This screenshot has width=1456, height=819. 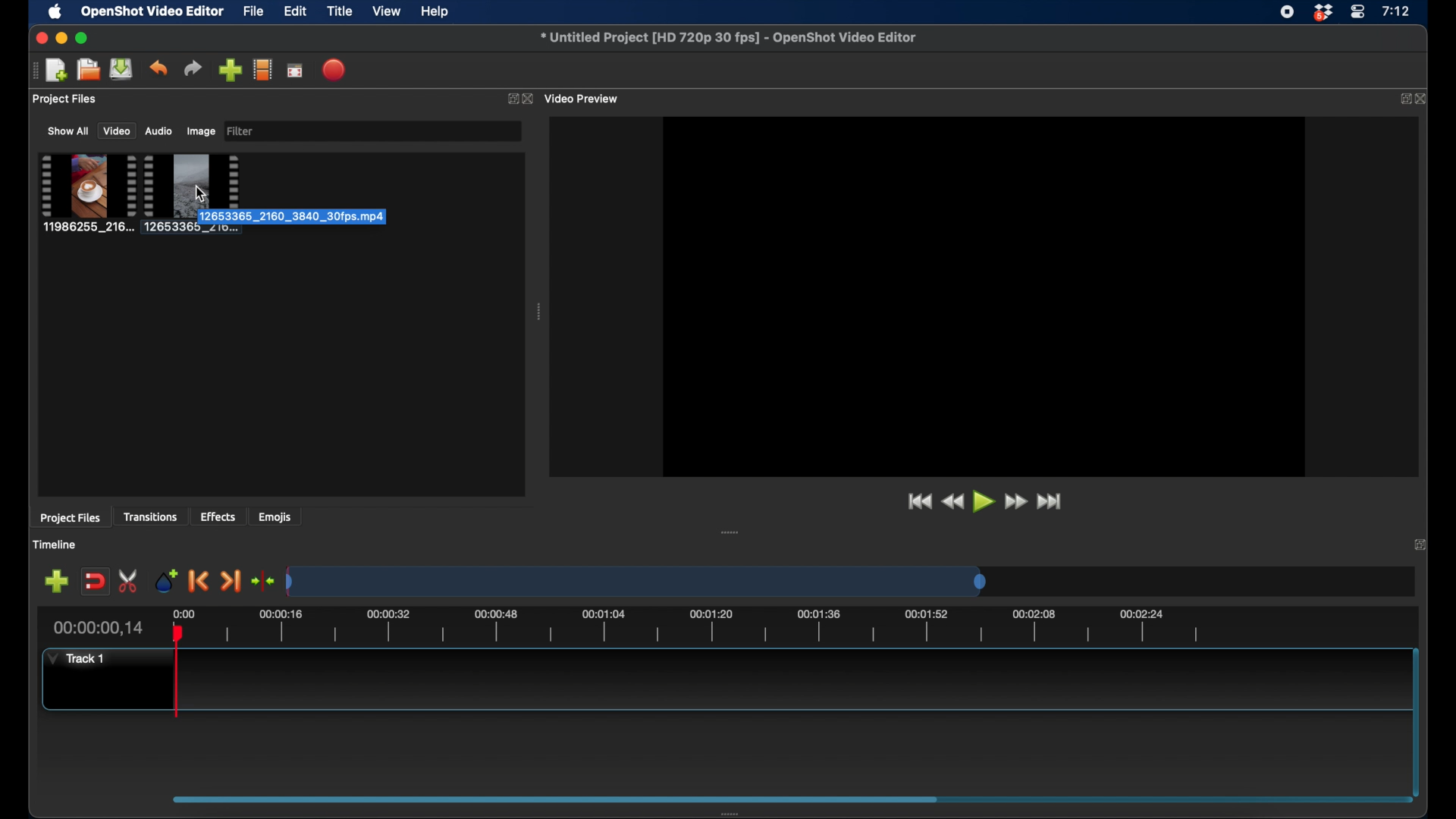 I want to click on choose profile, so click(x=263, y=69).